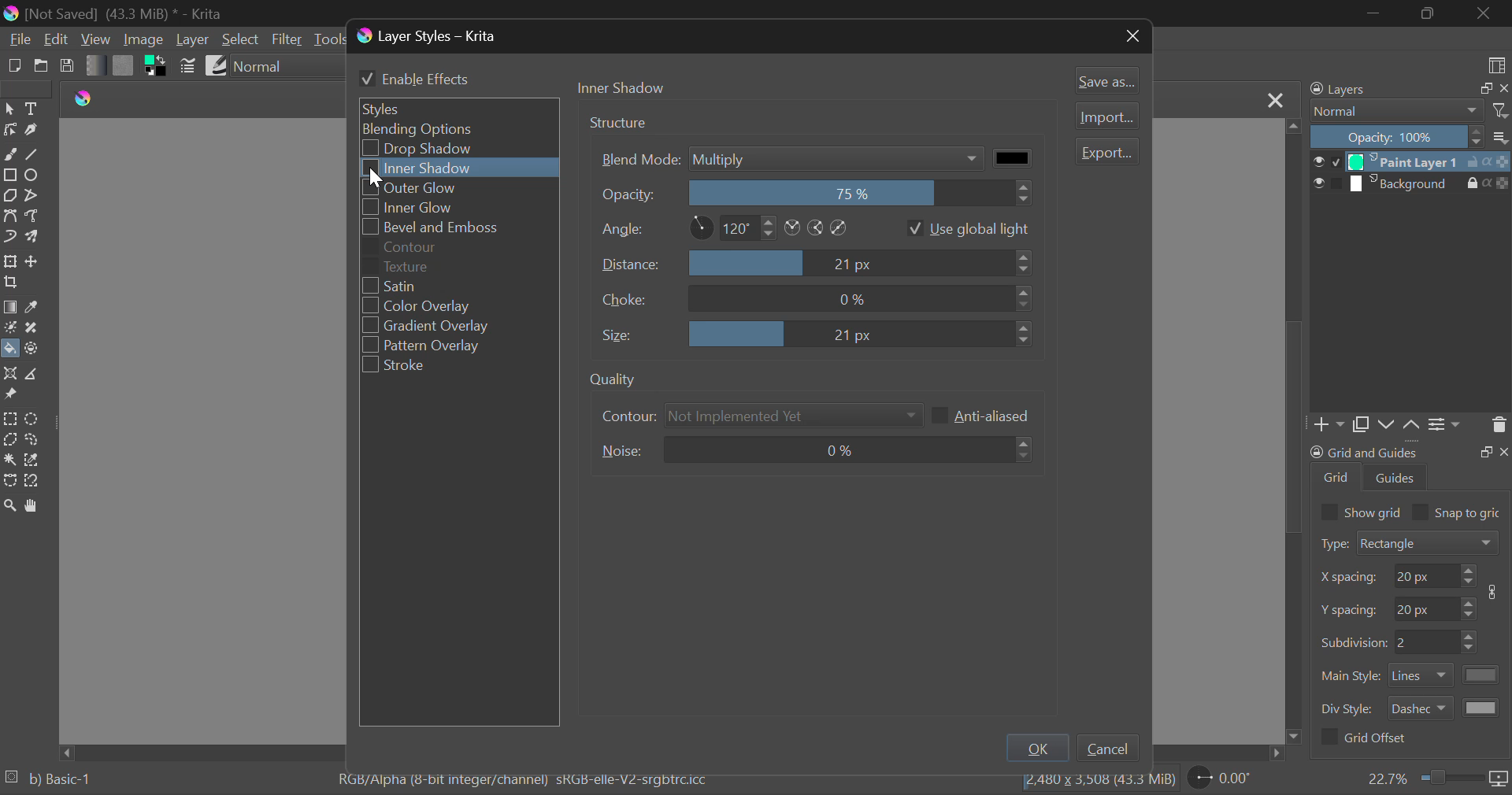 The width and height of the screenshot is (1512, 795). What do you see at coordinates (241, 39) in the screenshot?
I see `Select` at bounding box center [241, 39].